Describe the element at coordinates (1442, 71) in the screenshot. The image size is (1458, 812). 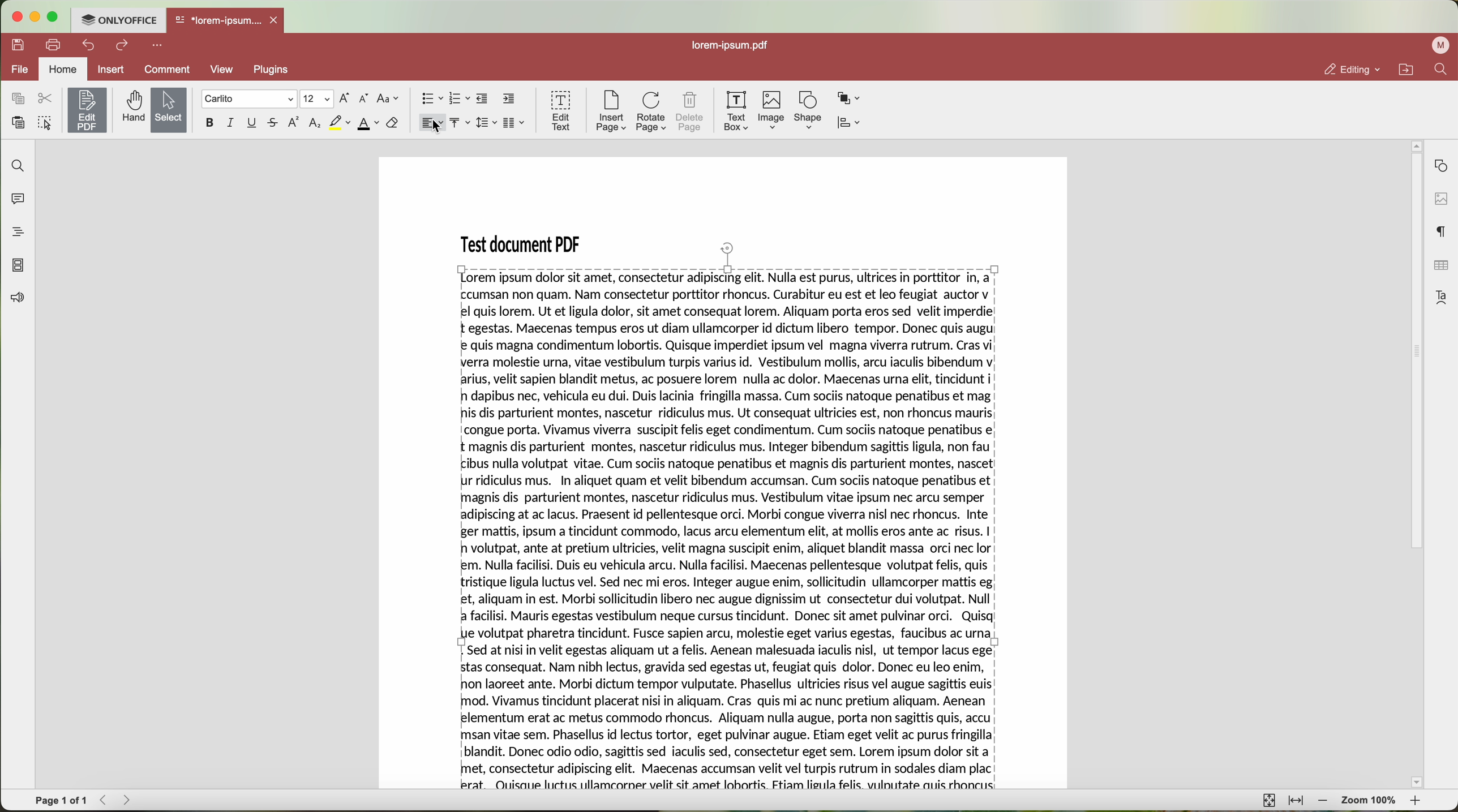
I see `find` at that location.